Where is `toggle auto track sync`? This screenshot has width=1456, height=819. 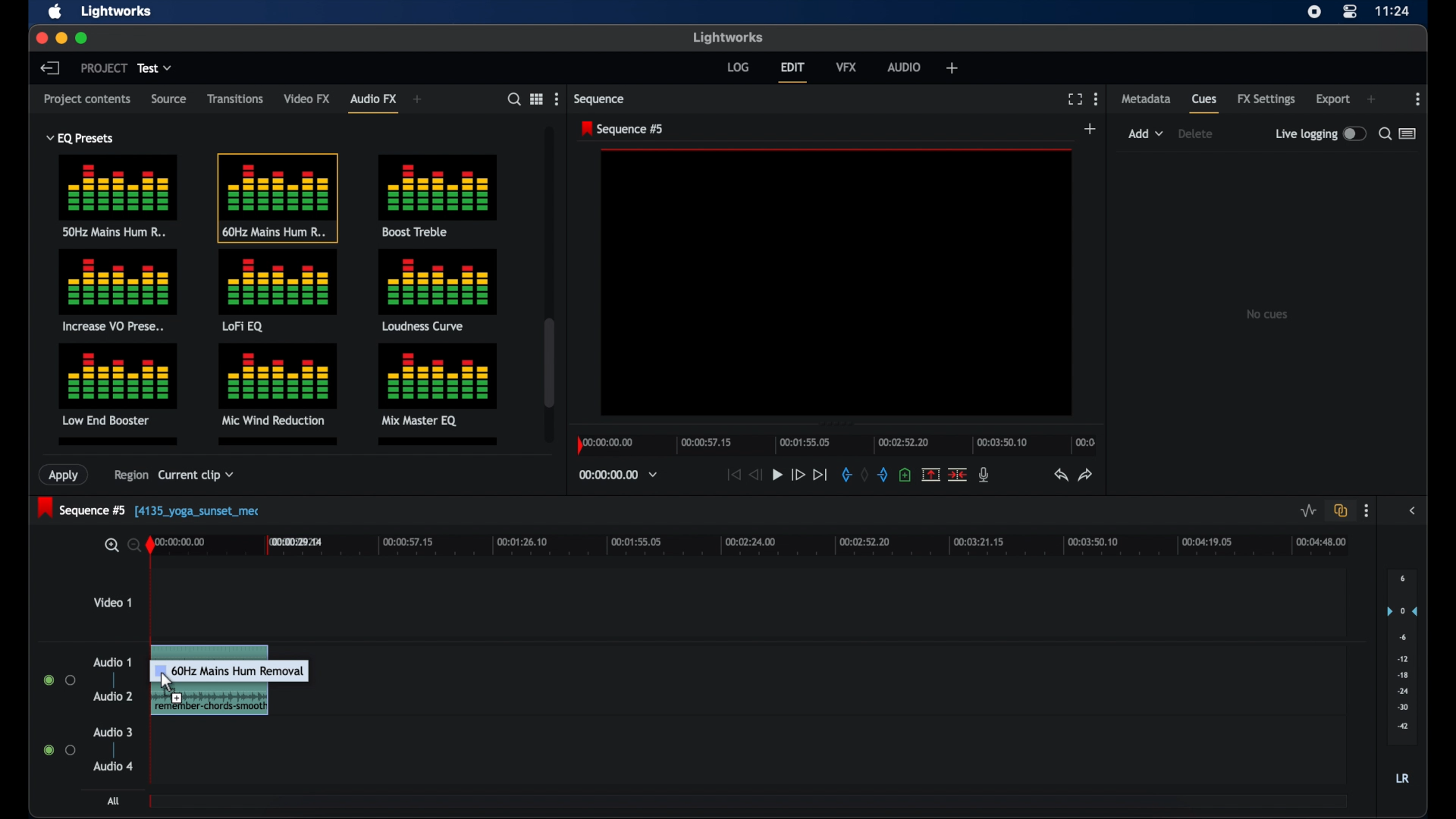
toggle auto track sync is located at coordinates (1341, 510).